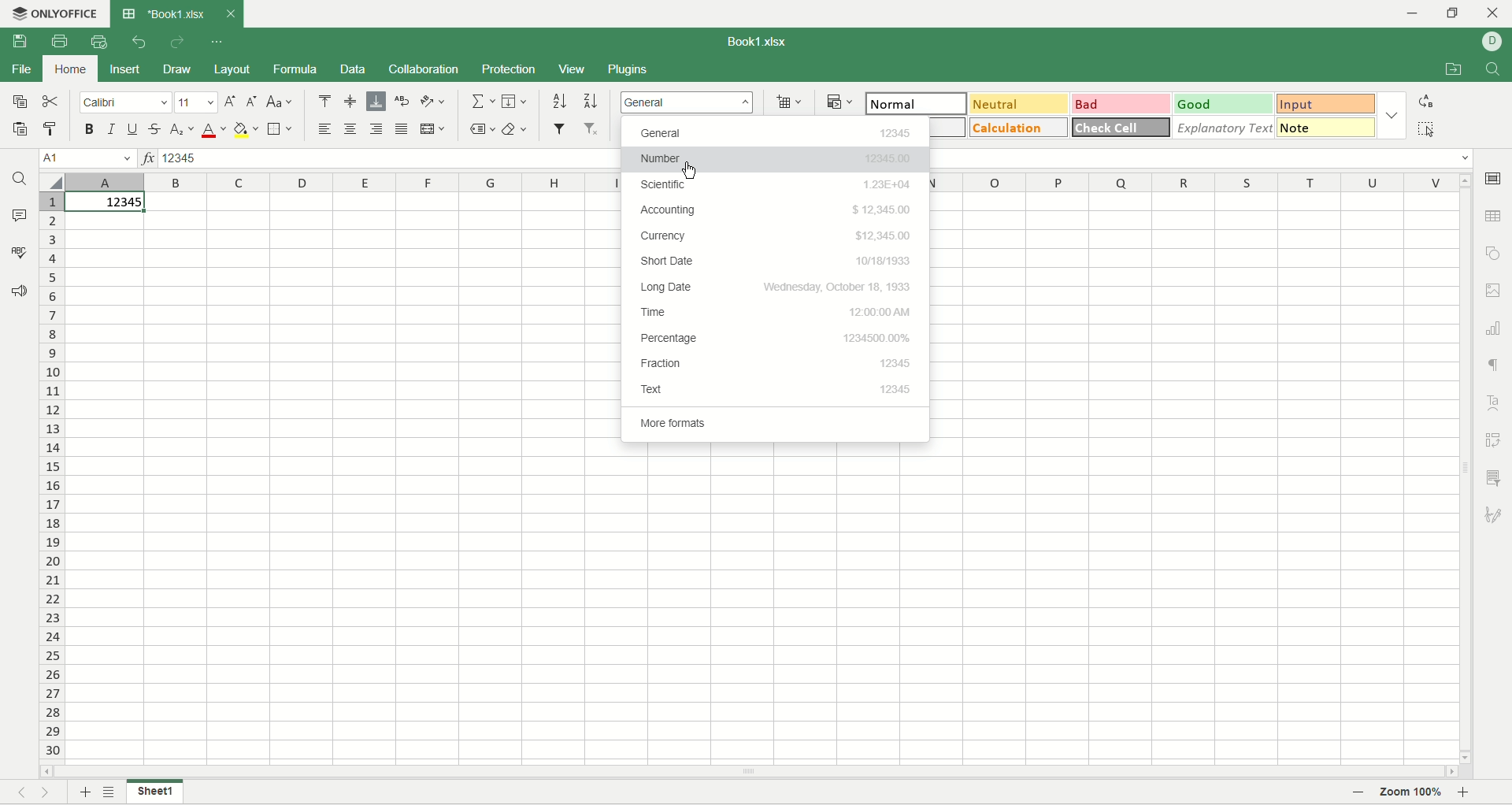 The image size is (1512, 805). Describe the element at coordinates (773, 365) in the screenshot. I see `fraction` at that location.